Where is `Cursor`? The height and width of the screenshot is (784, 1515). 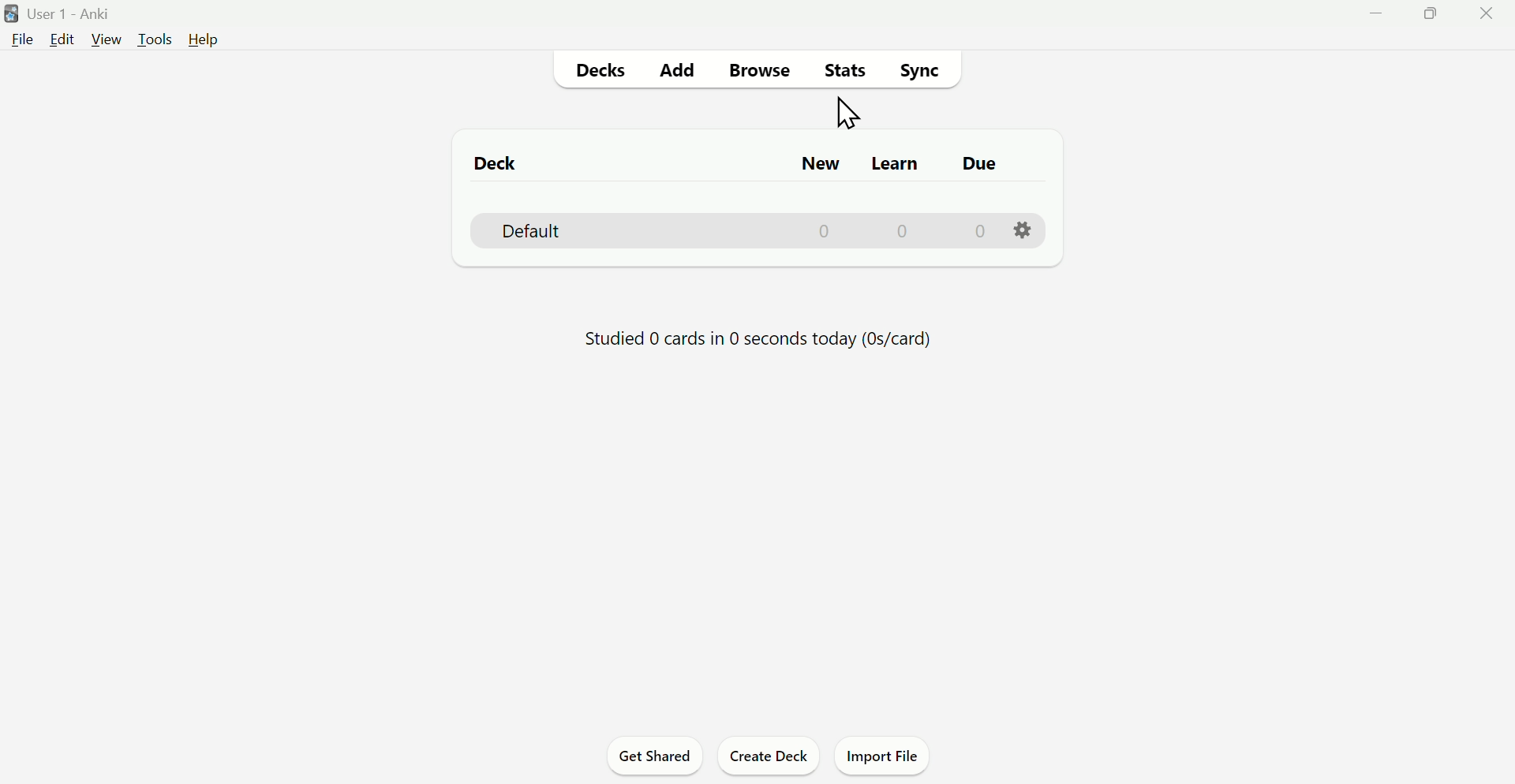 Cursor is located at coordinates (851, 111).